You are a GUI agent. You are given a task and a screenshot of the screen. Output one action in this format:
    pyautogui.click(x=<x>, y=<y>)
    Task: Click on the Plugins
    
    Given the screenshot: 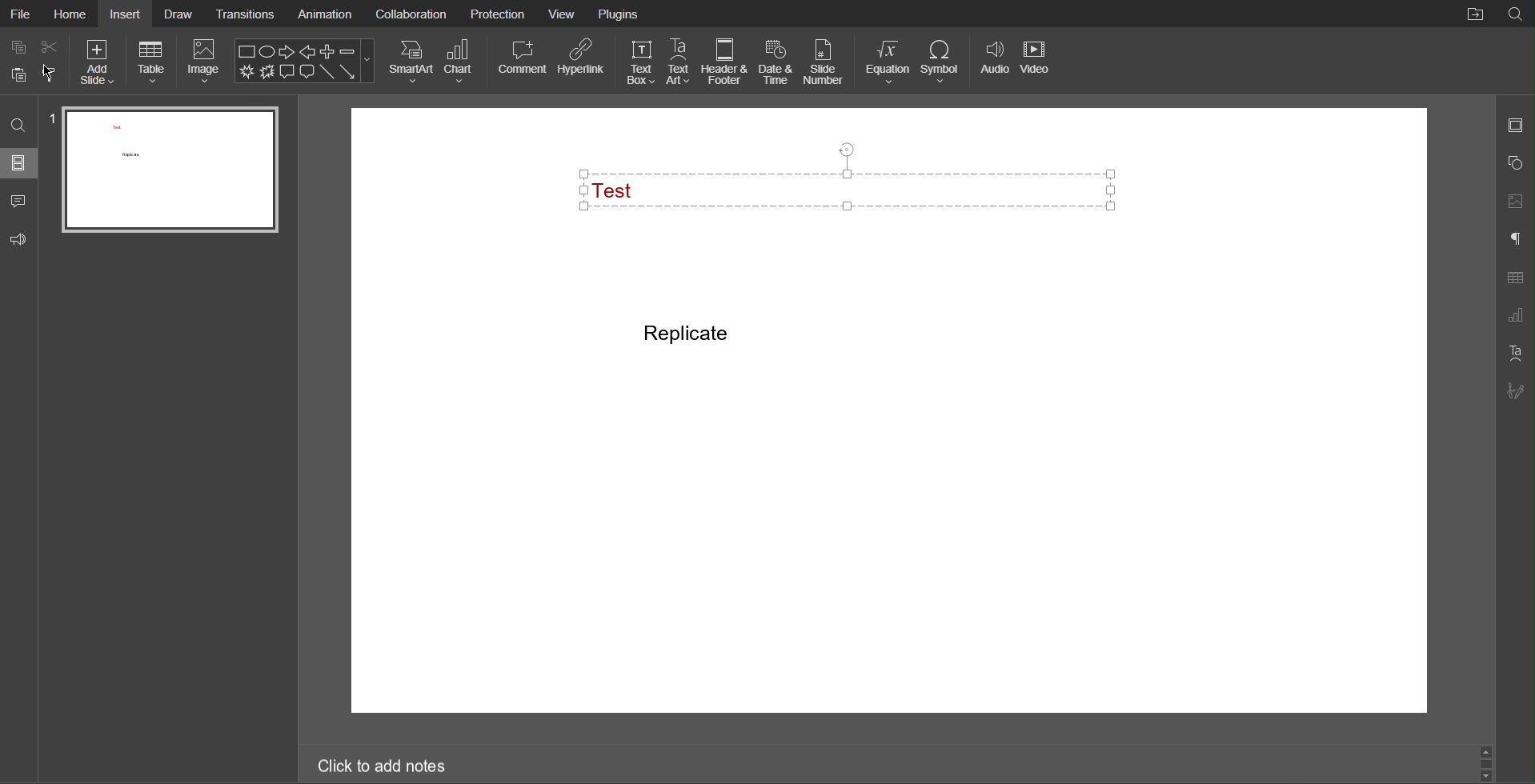 What is the action you would take?
    pyautogui.click(x=619, y=15)
    